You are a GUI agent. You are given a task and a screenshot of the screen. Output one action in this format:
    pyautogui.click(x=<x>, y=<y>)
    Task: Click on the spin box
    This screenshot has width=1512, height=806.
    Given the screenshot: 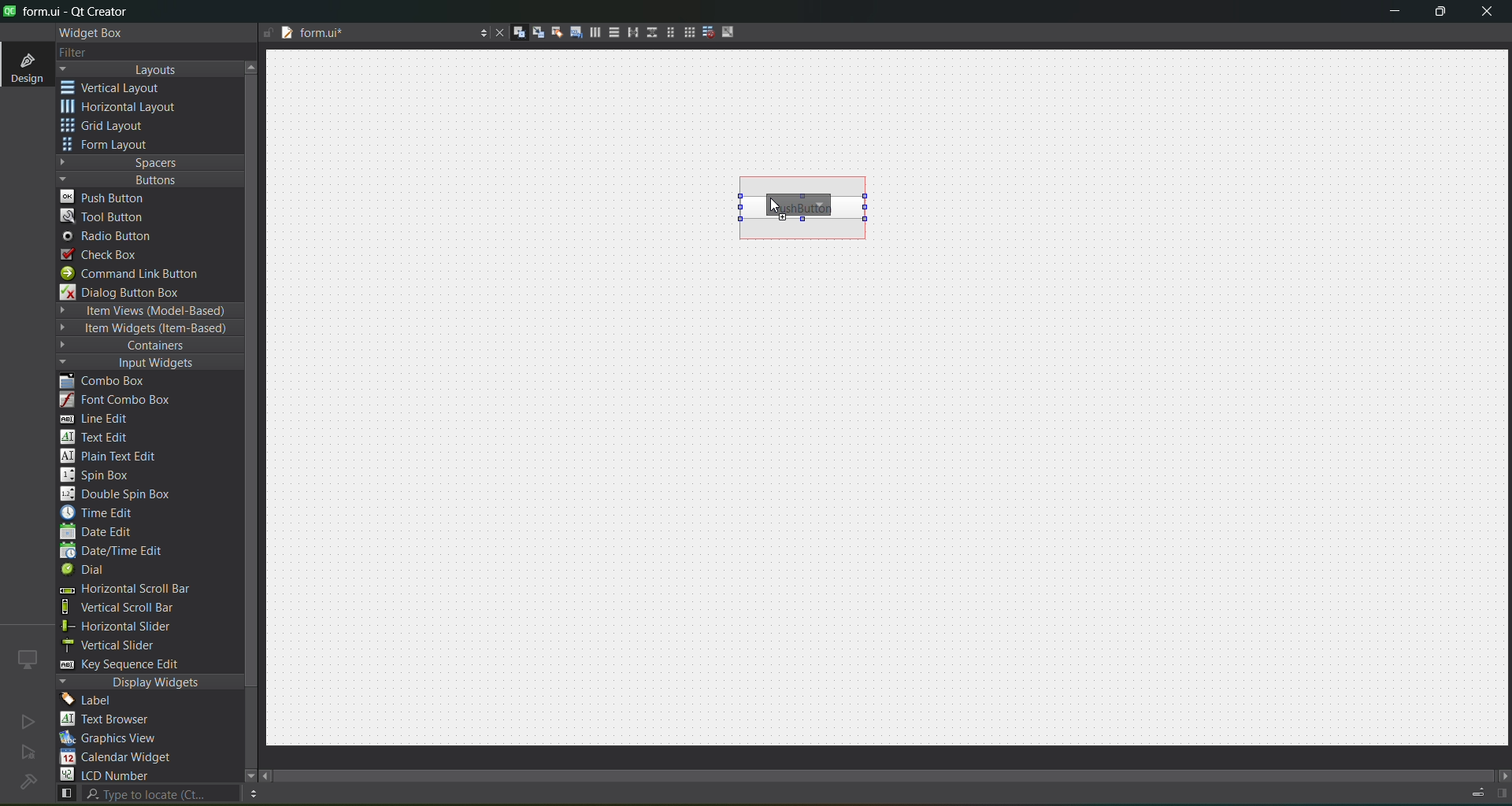 What is the action you would take?
    pyautogui.click(x=103, y=475)
    